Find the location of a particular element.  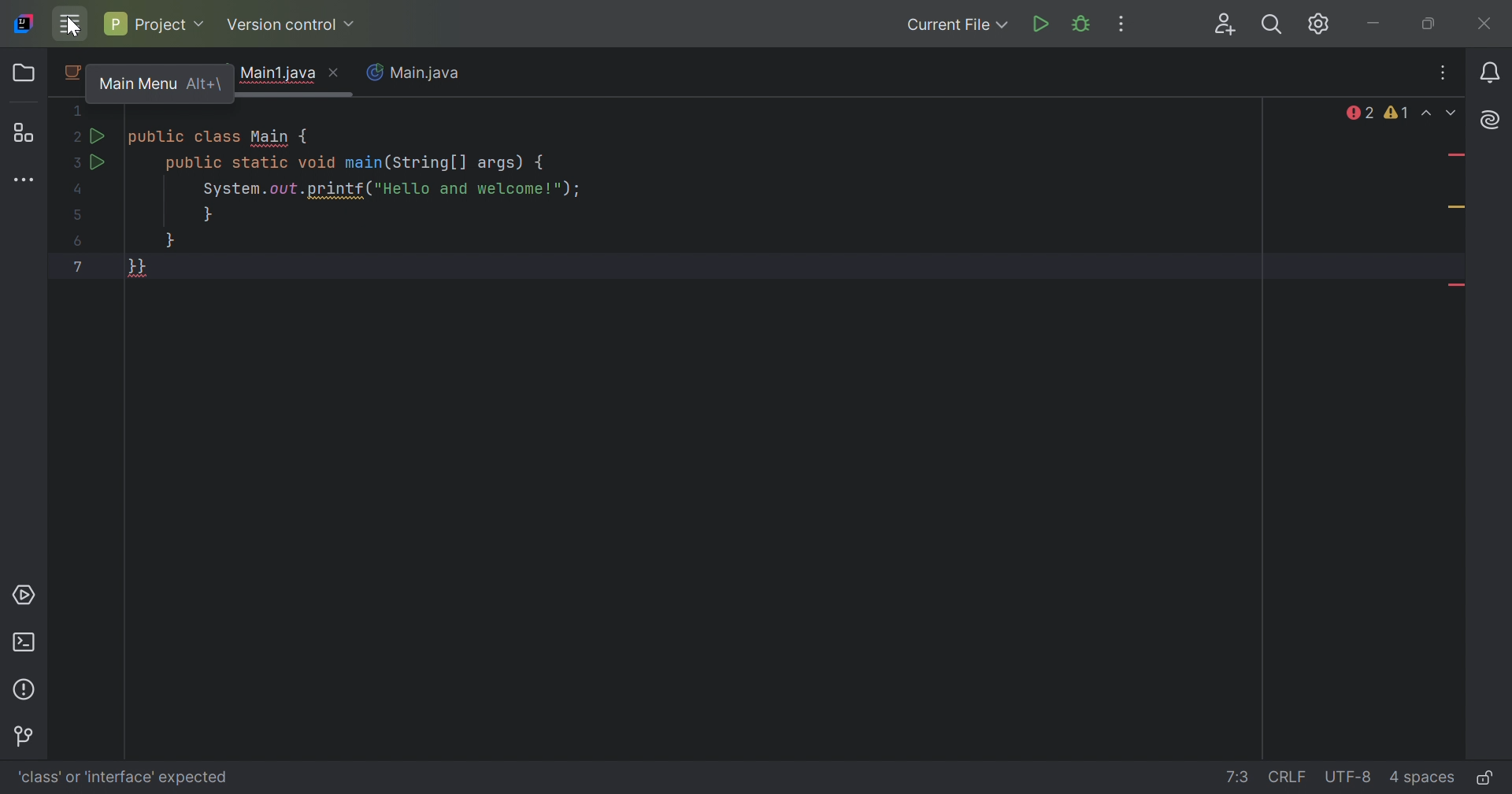

Restore down is located at coordinates (1430, 24).